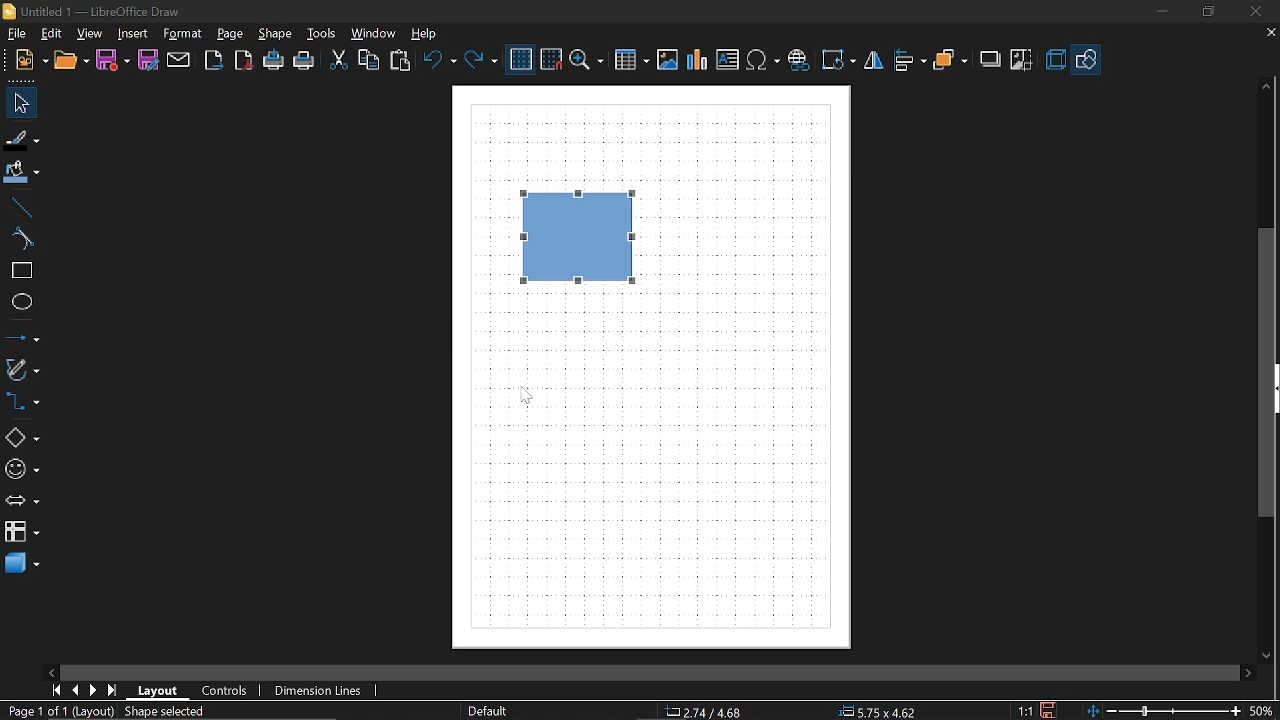 Image resolution: width=1280 pixels, height=720 pixels. What do you see at coordinates (18, 208) in the screenshot?
I see `Line` at bounding box center [18, 208].